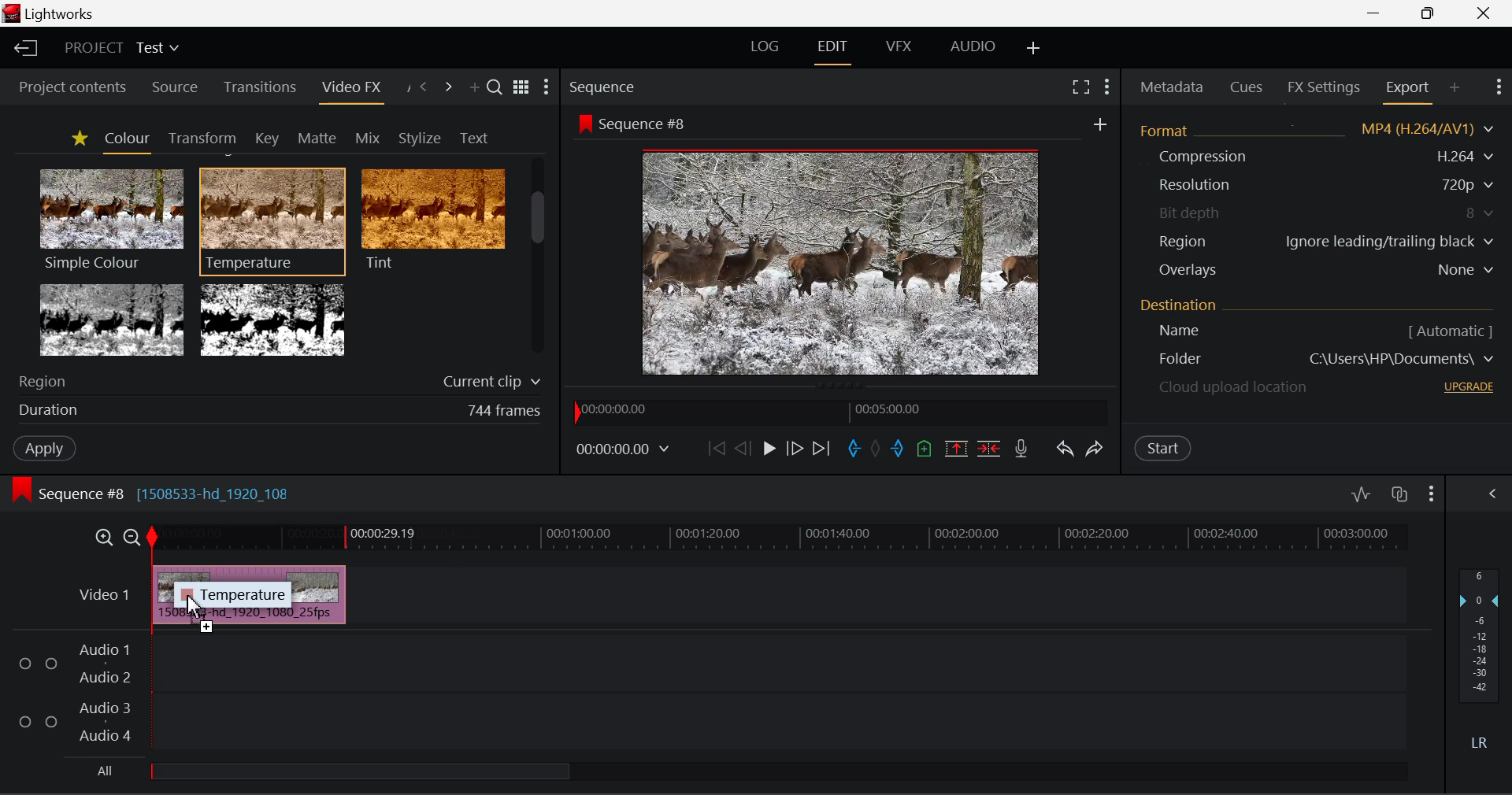 This screenshot has height=795, width=1512. Describe the element at coordinates (98, 675) in the screenshot. I see `Audio 2` at that location.